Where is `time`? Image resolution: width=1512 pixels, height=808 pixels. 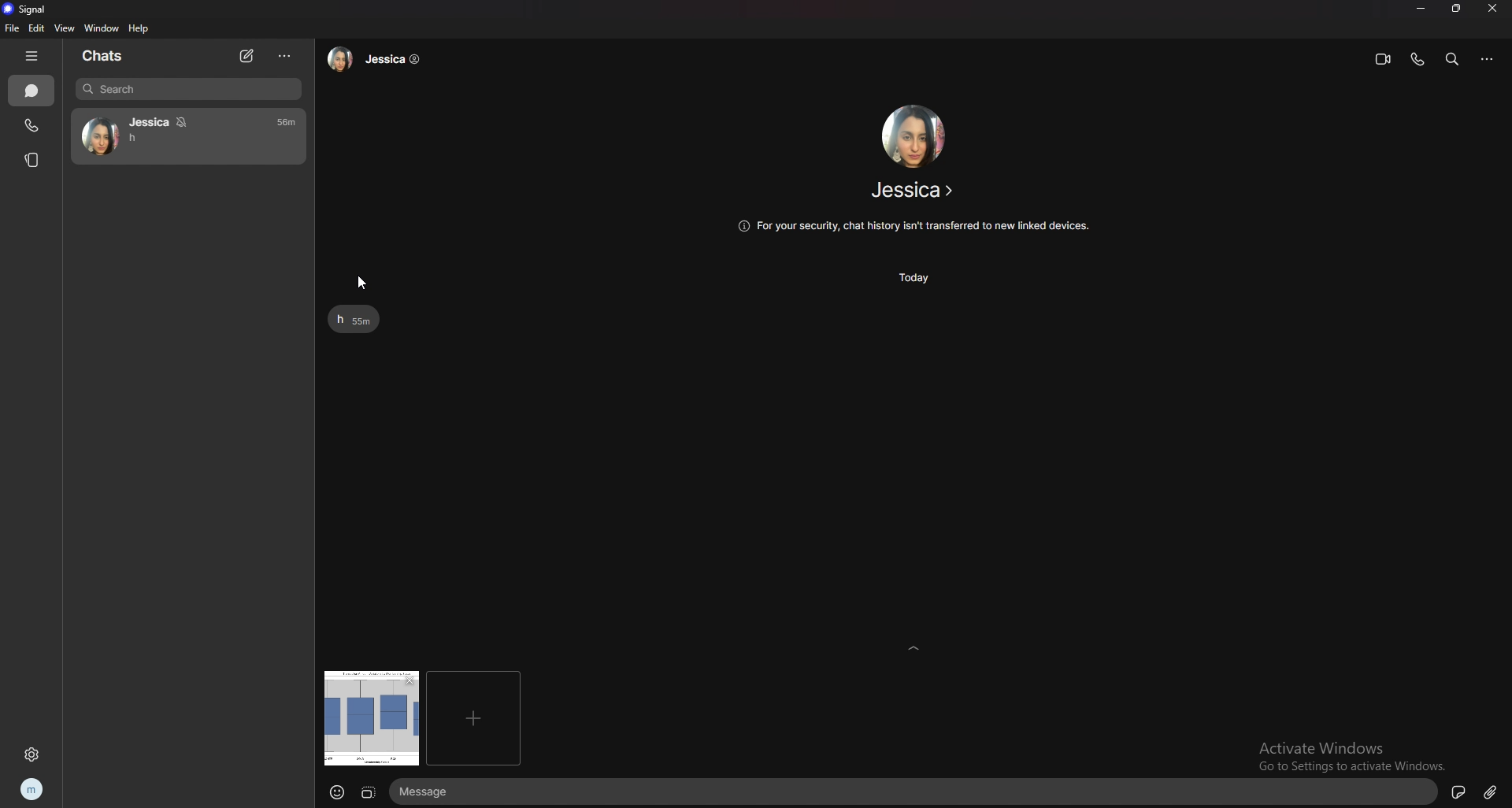
time is located at coordinates (913, 278).